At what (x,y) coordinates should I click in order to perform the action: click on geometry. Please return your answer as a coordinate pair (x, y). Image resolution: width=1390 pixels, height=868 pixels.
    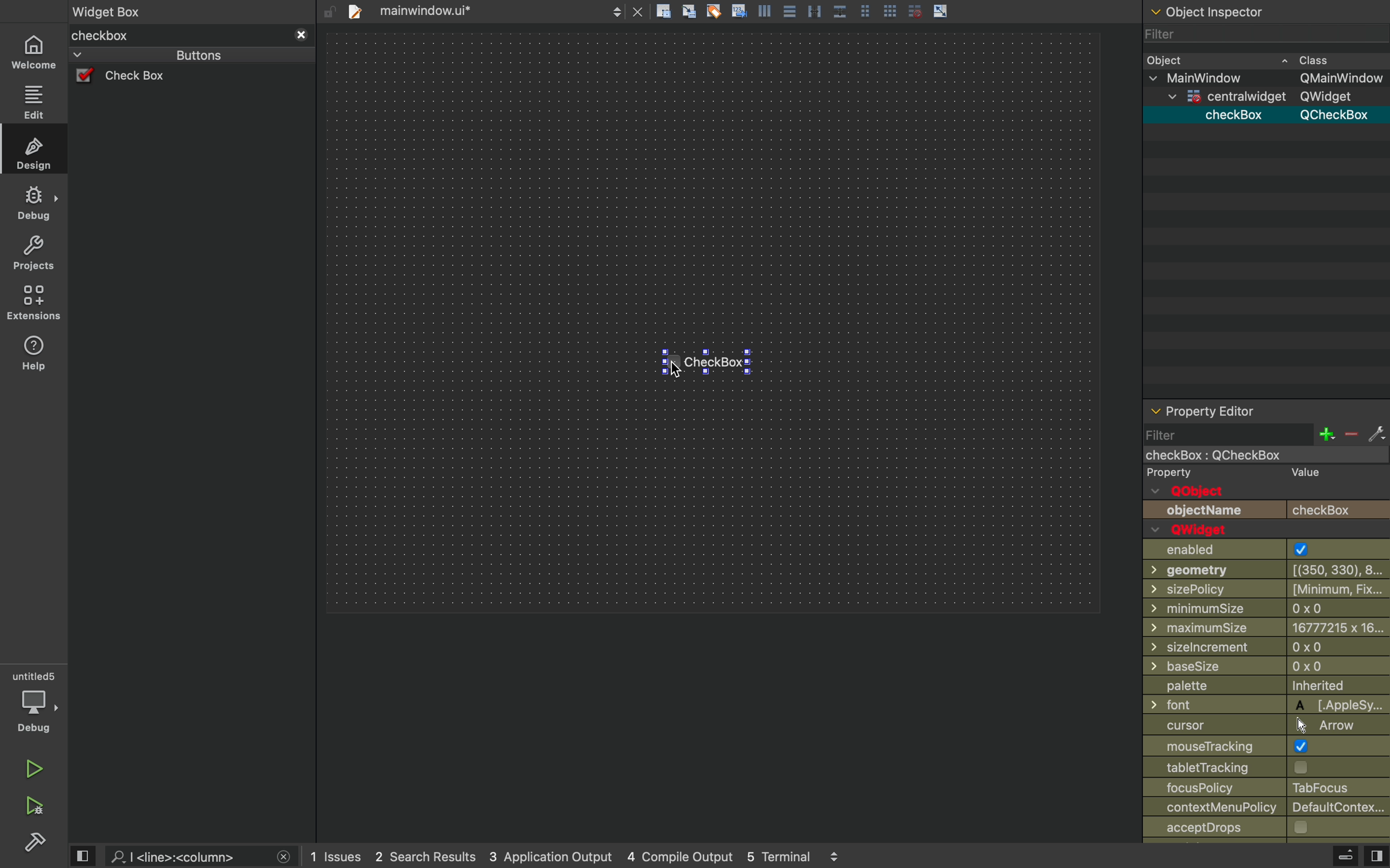
    Looking at the image, I should click on (1269, 569).